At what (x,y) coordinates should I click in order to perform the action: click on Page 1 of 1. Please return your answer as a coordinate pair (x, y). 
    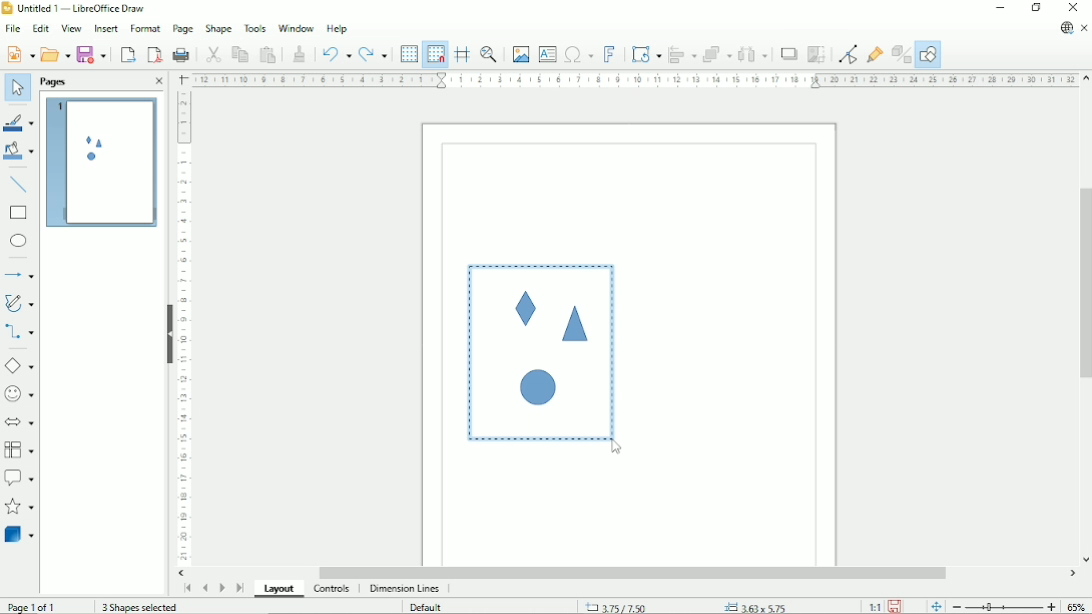
    Looking at the image, I should click on (32, 607).